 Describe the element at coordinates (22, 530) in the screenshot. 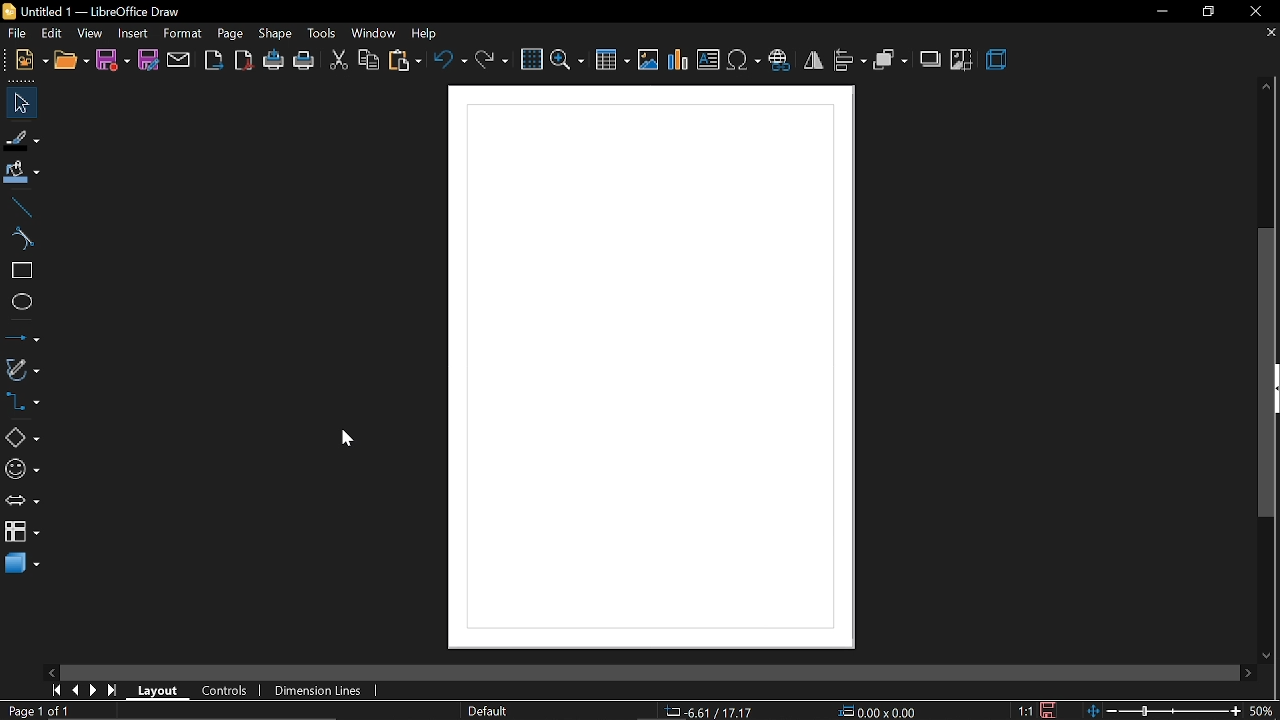

I see `flowchart` at that location.